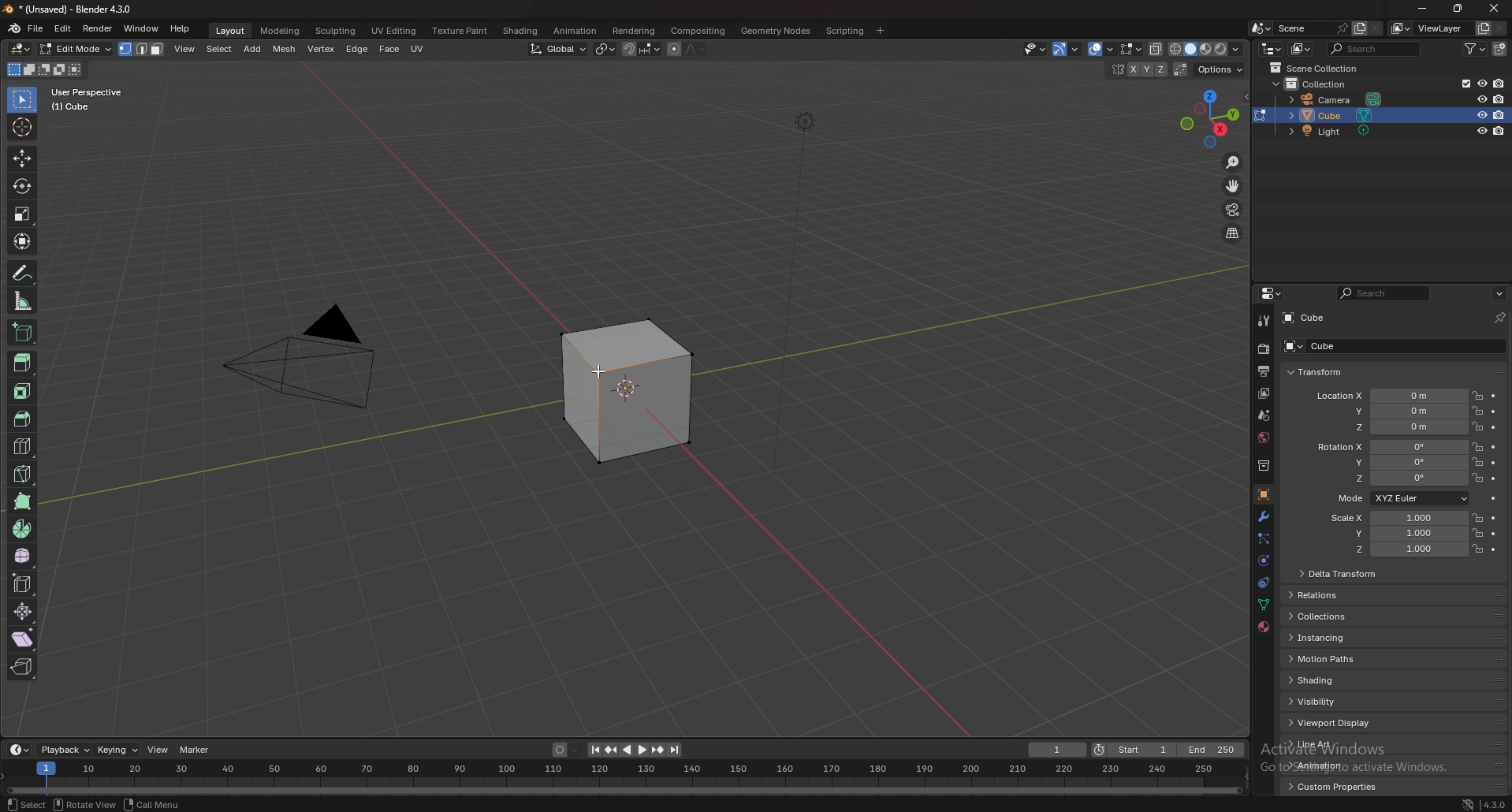 Image resolution: width=1512 pixels, height=812 pixels. I want to click on compositing, so click(700, 30).